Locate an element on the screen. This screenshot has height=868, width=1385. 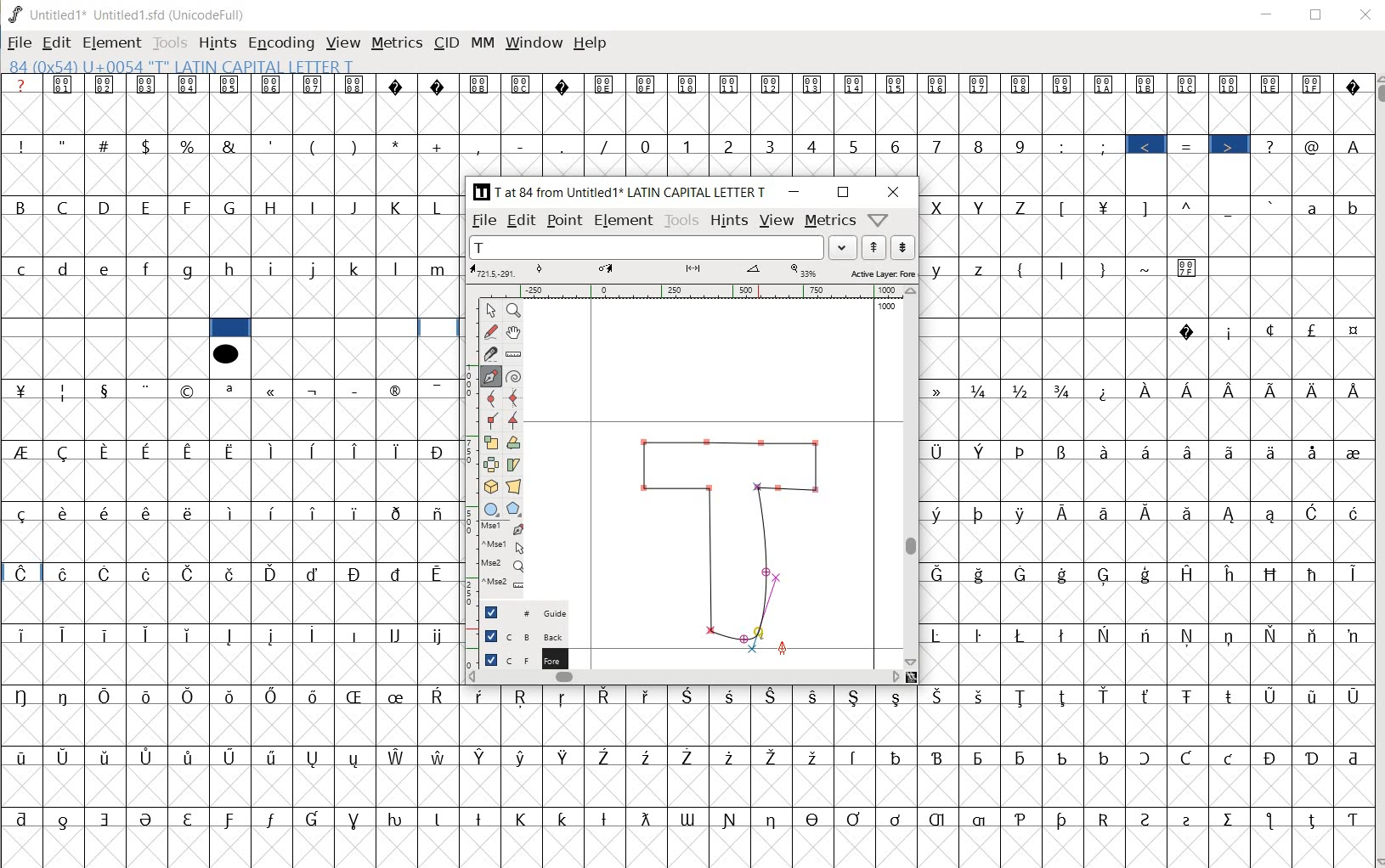
Symbol is located at coordinates (64, 573).